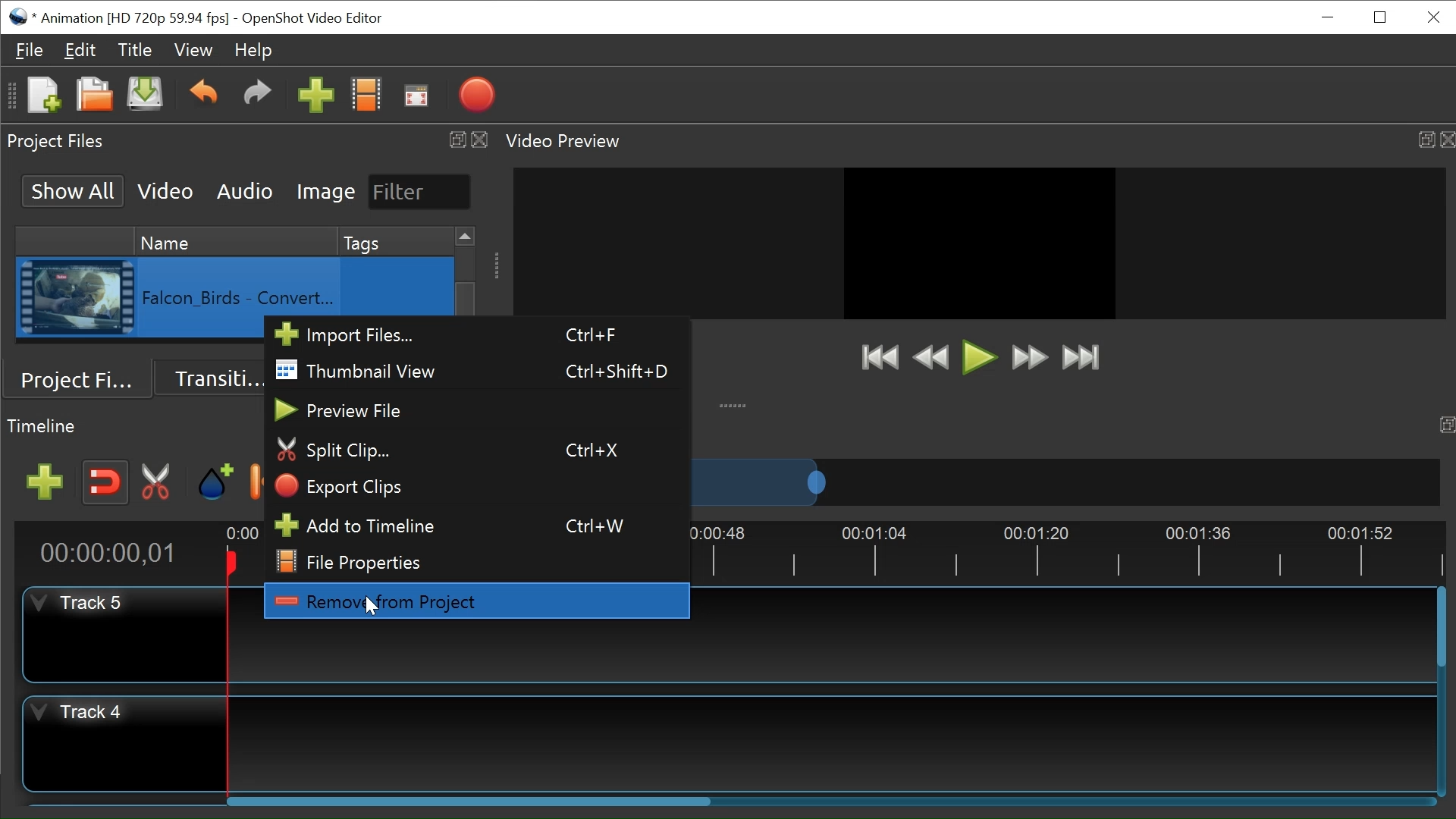 This screenshot has height=819, width=1456. What do you see at coordinates (83, 603) in the screenshot?
I see `Track Header` at bounding box center [83, 603].